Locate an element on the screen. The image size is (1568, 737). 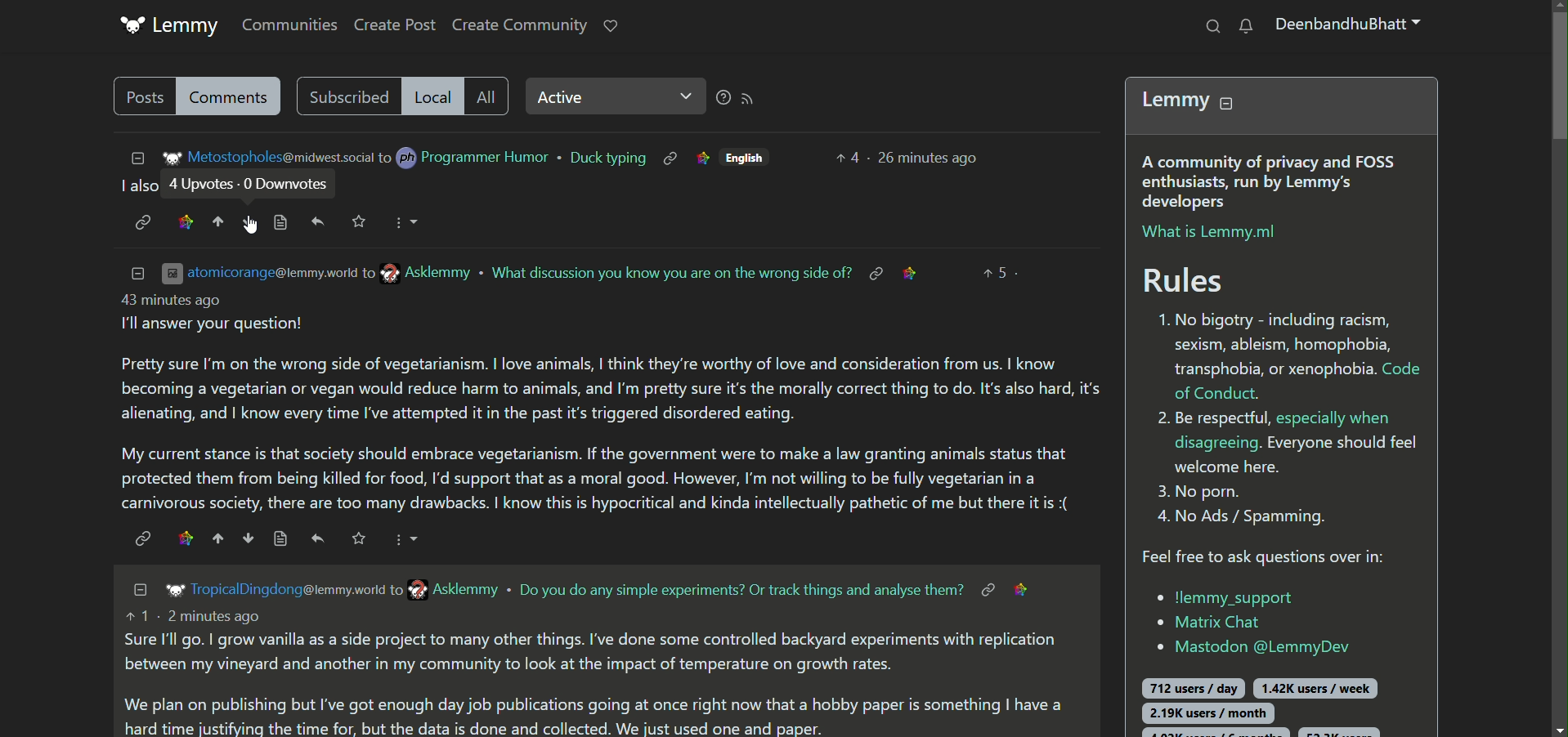
reactions is located at coordinates (254, 185).